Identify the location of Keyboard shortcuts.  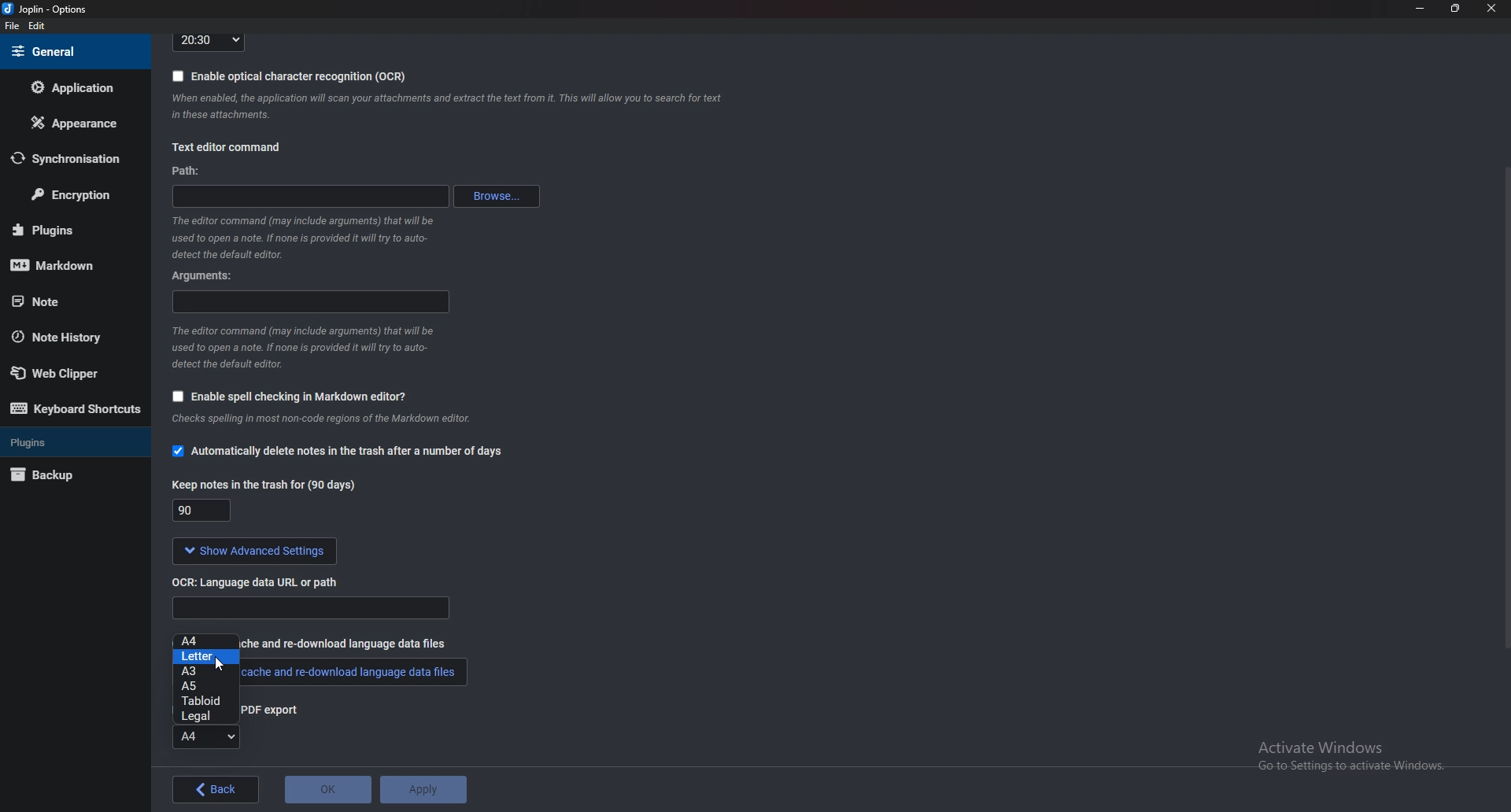
(75, 409).